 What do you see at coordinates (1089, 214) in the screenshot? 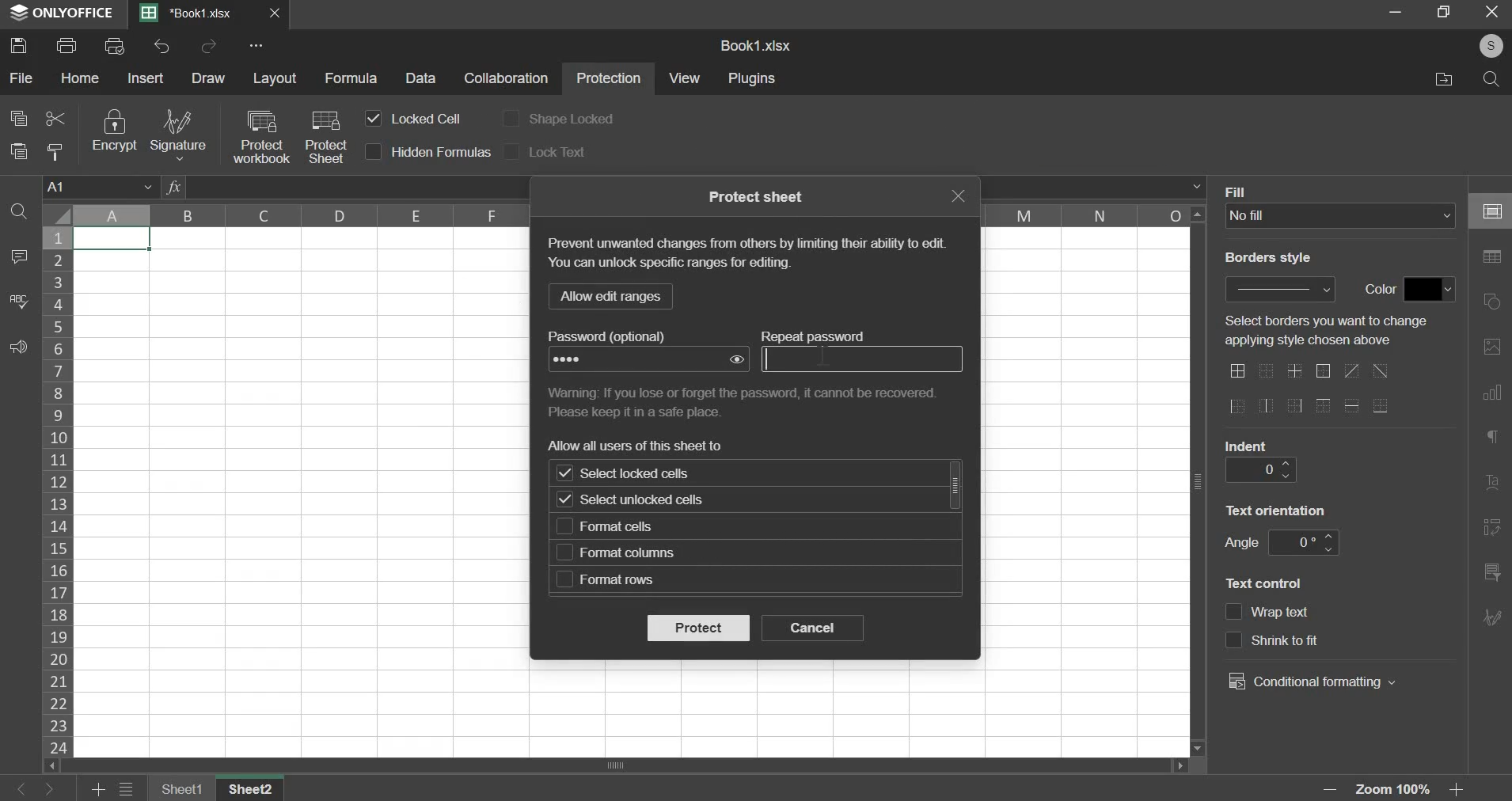
I see `column` at bounding box center [1089, 214].